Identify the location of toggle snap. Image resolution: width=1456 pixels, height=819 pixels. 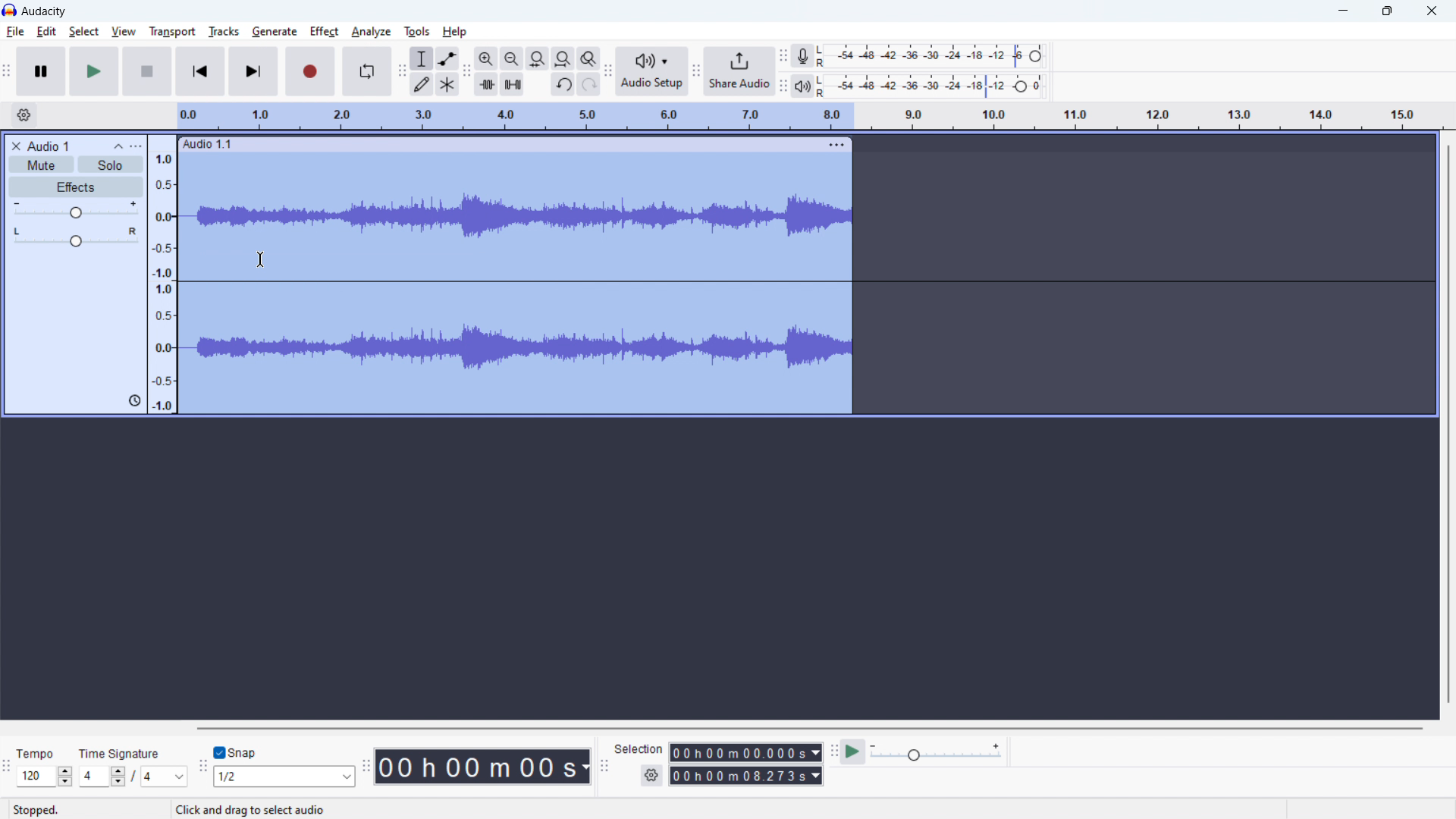
(236, 752).